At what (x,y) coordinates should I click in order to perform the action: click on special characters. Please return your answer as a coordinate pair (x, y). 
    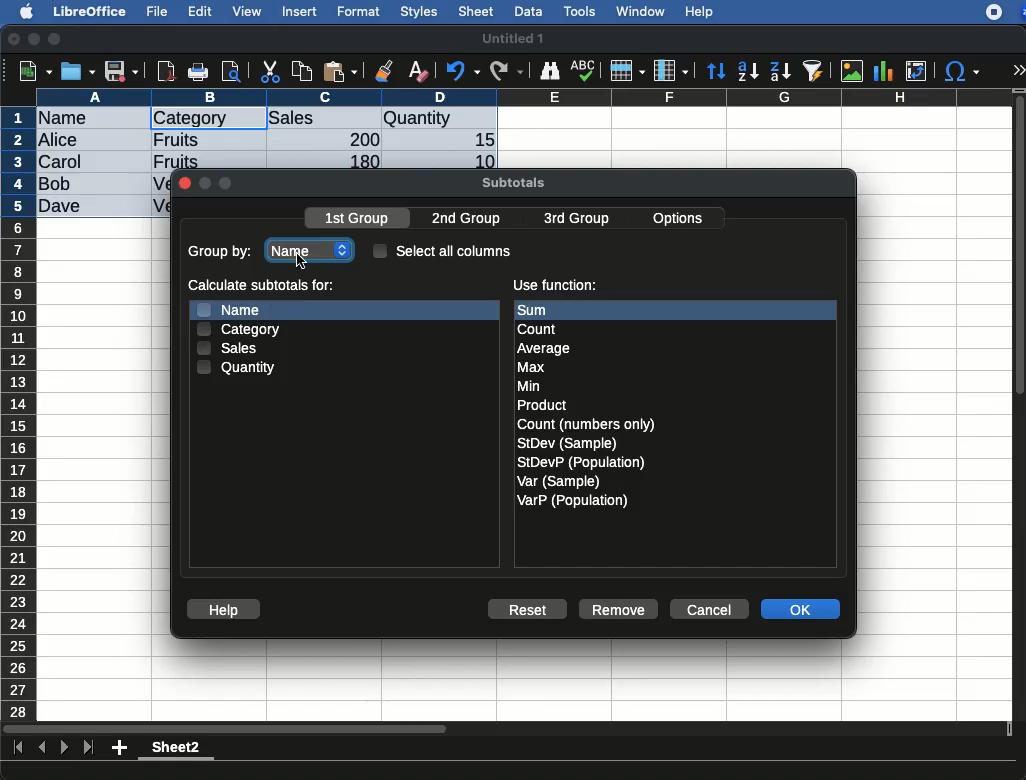
    Looking at the image, I should click on (960, 71).